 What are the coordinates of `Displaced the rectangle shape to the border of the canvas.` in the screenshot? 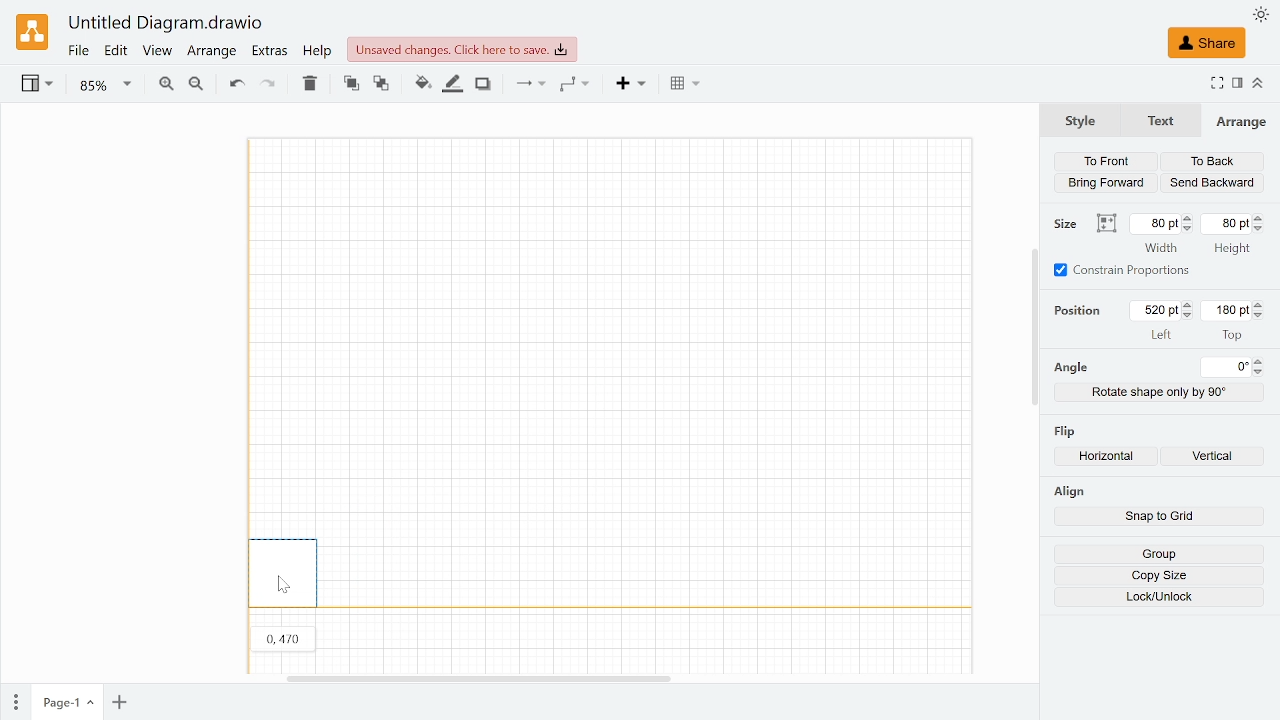 It's located at (283, 573).